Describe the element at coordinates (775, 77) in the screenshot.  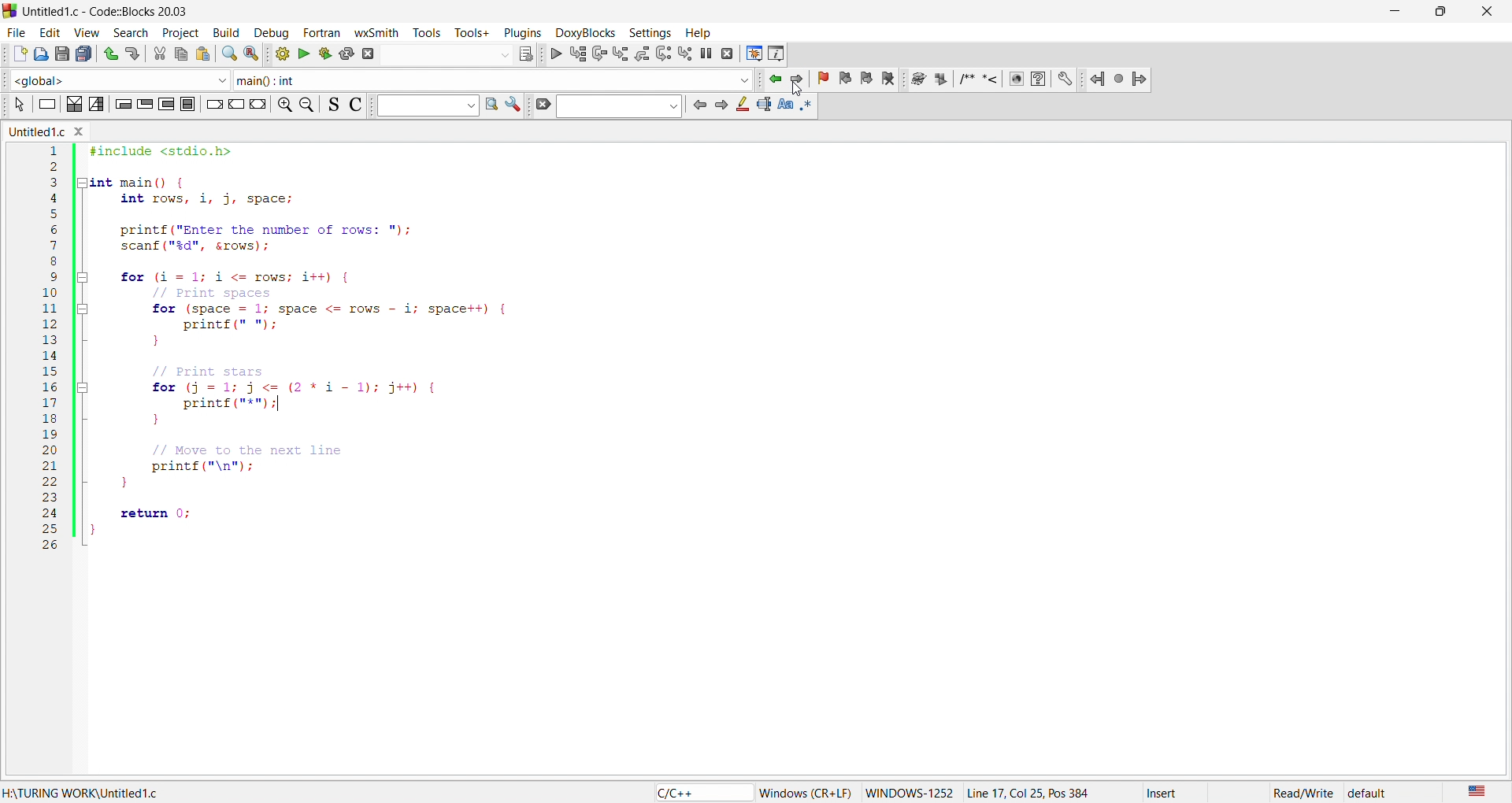
I see `jump backward` at that location.